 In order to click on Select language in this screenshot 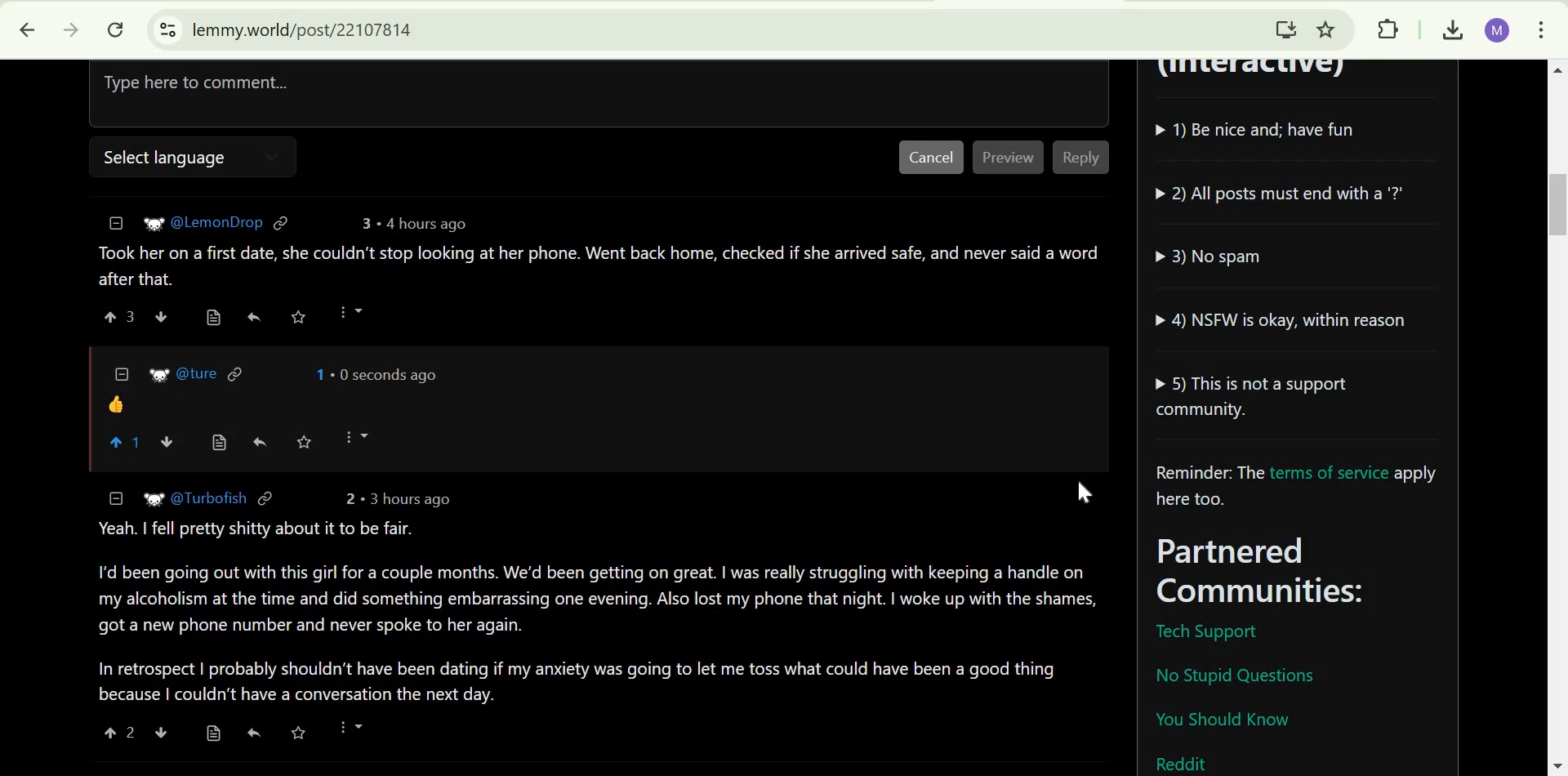, I will do `click(160, 158)`.